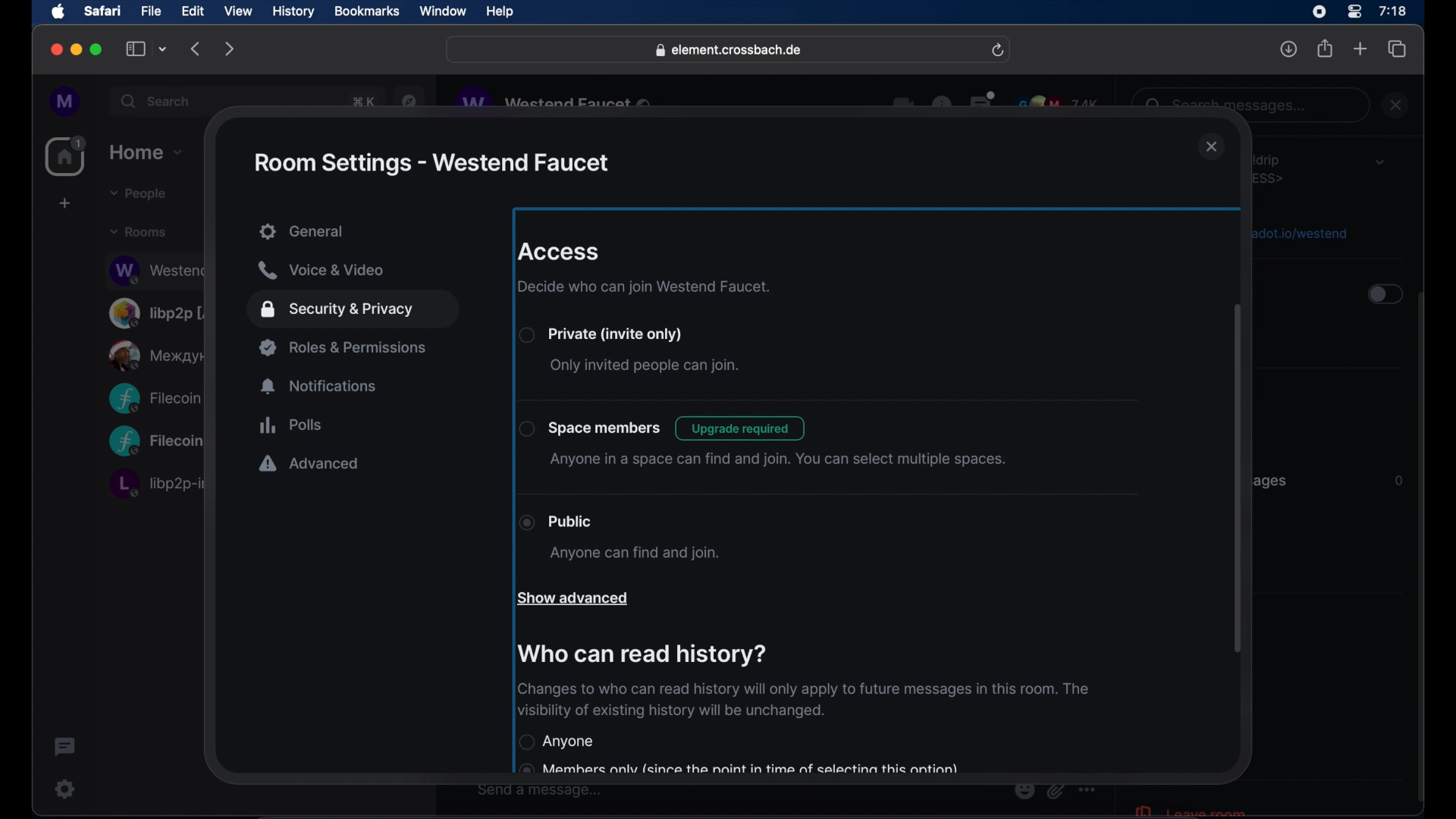 This screenshot has width=1456, height=819. I want to click on apple icon, so click(58, 12).